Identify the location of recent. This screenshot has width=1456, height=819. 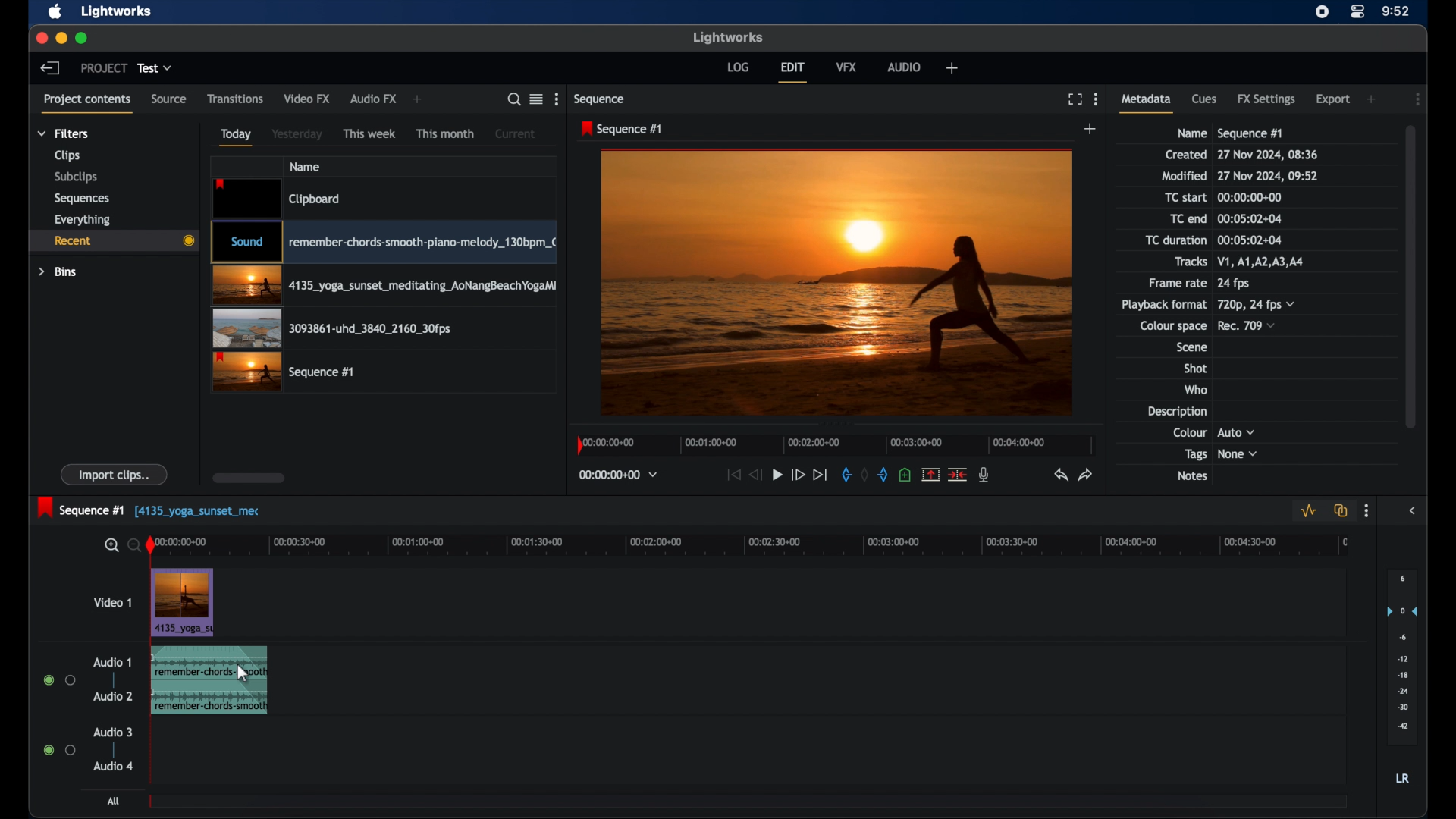
(113, 243).